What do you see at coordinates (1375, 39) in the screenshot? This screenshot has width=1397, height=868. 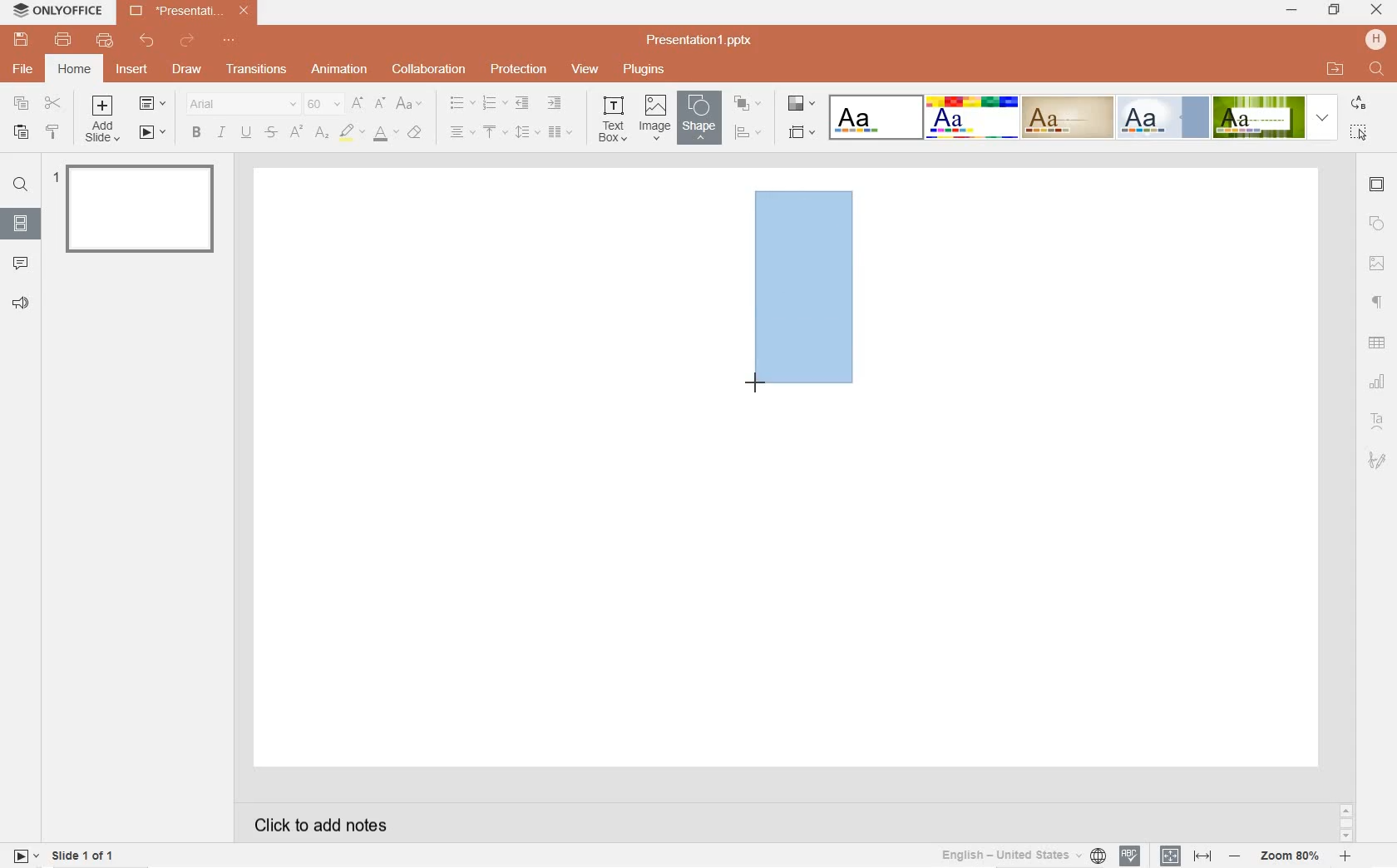 I see `HP` at bounding box center [1375, 39].